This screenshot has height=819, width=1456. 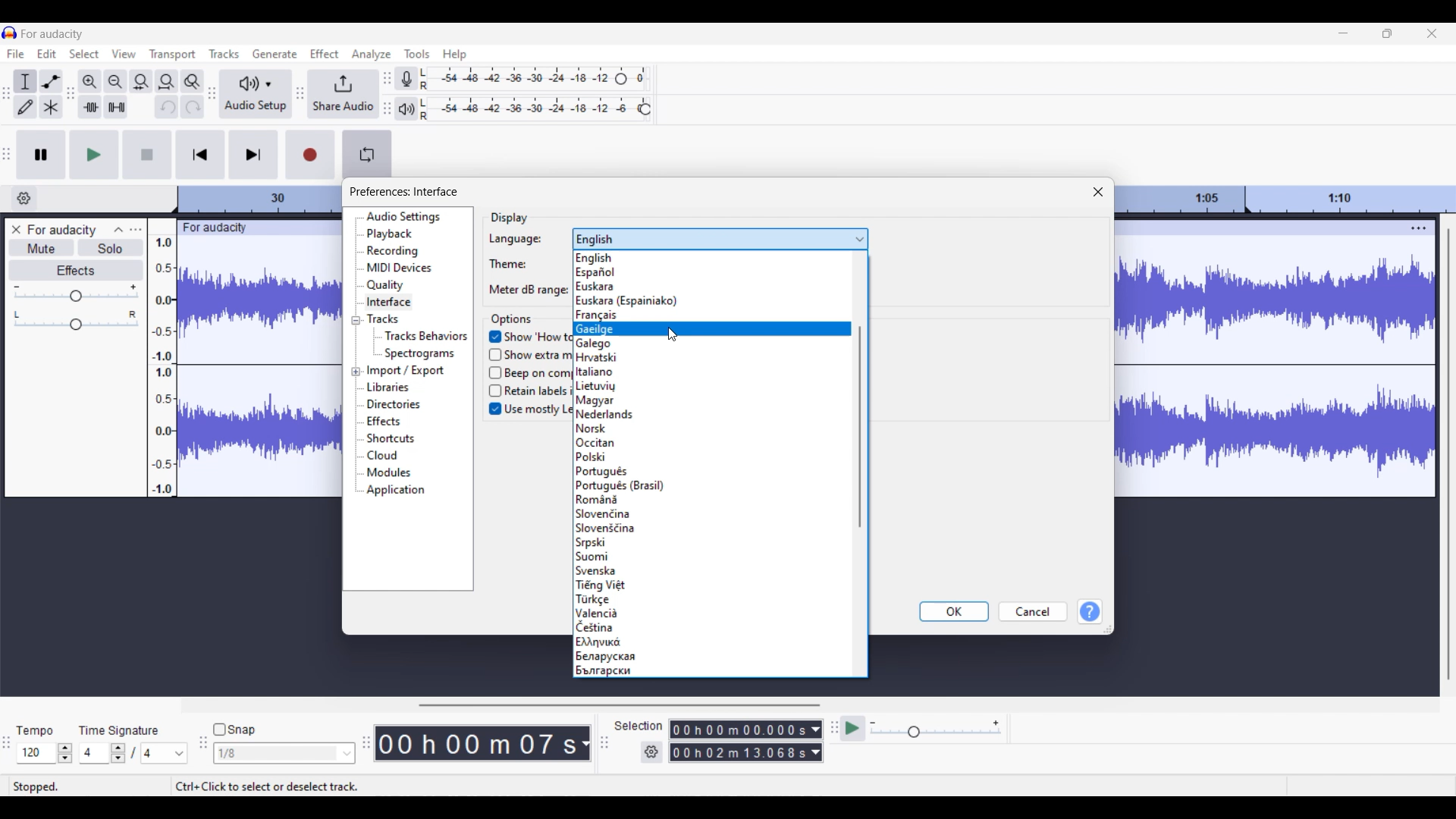 What do you see at coordinates (310, 155) in the screenshot?
I see `Record/Record new track` at bounding box center [310, 155].